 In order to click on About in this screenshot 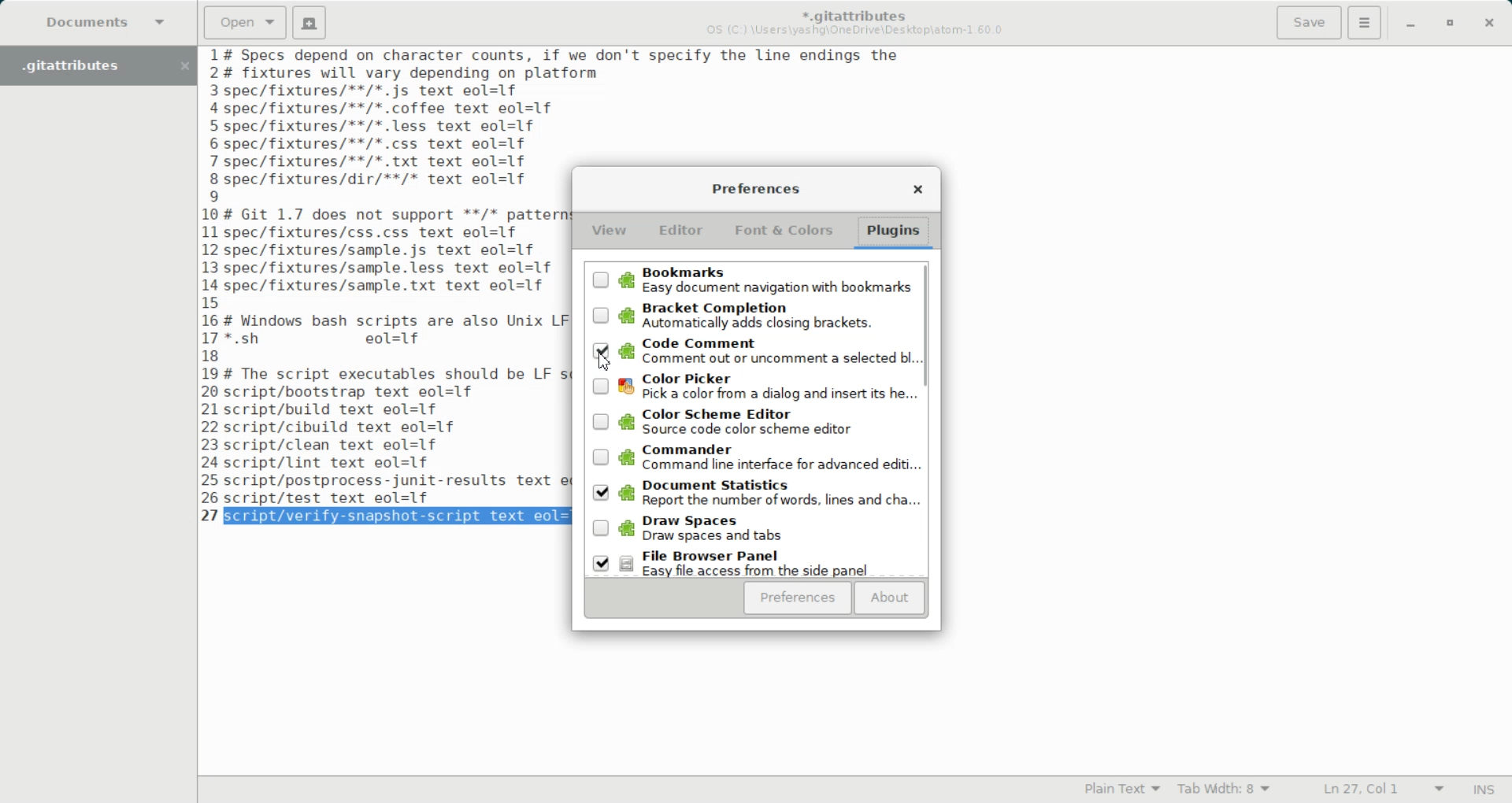, I will do `click(890, 598)`.